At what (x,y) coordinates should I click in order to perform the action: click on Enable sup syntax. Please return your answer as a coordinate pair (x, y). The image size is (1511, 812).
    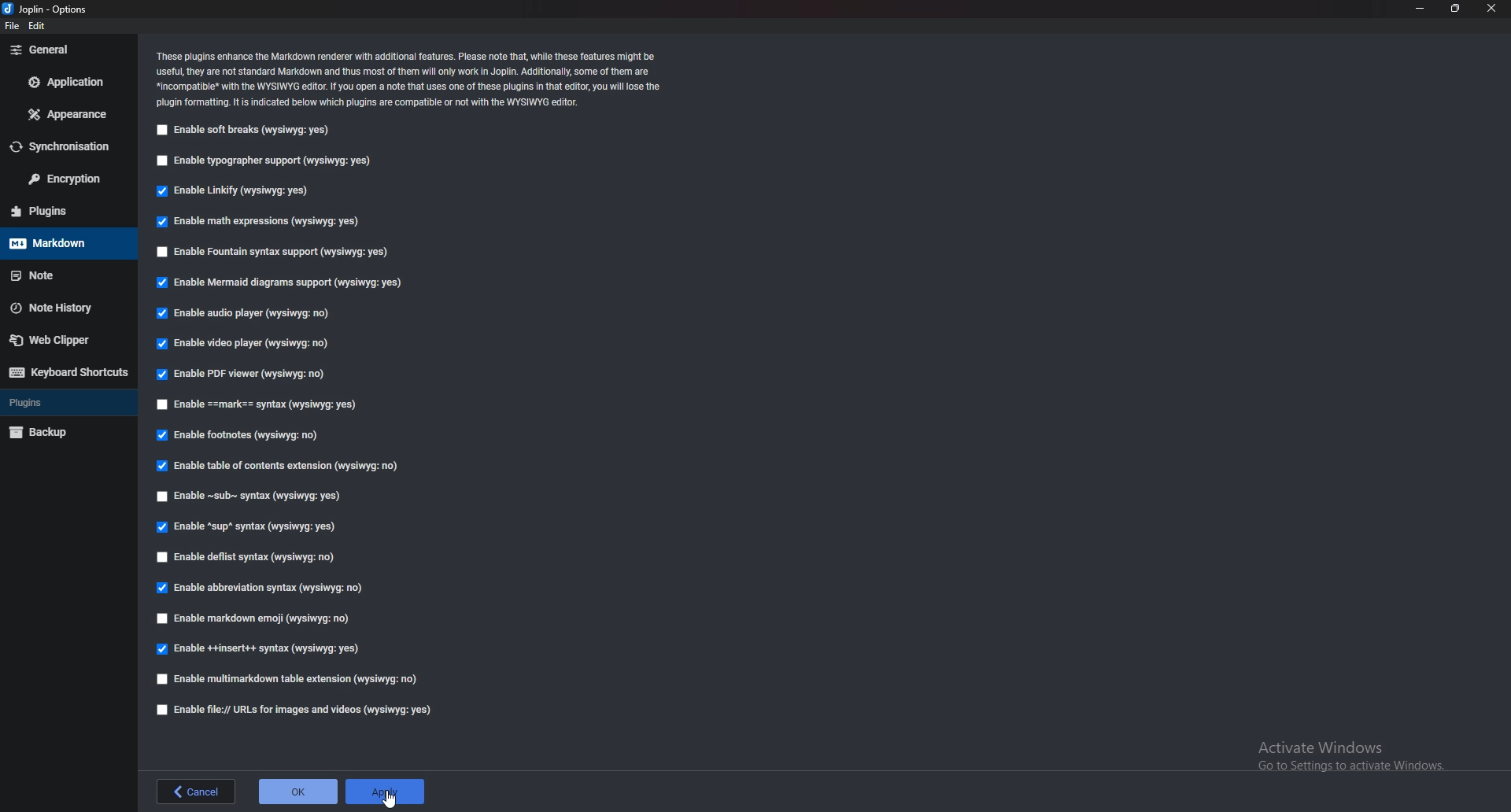
    Looking at the image, I should click on (247, 528).